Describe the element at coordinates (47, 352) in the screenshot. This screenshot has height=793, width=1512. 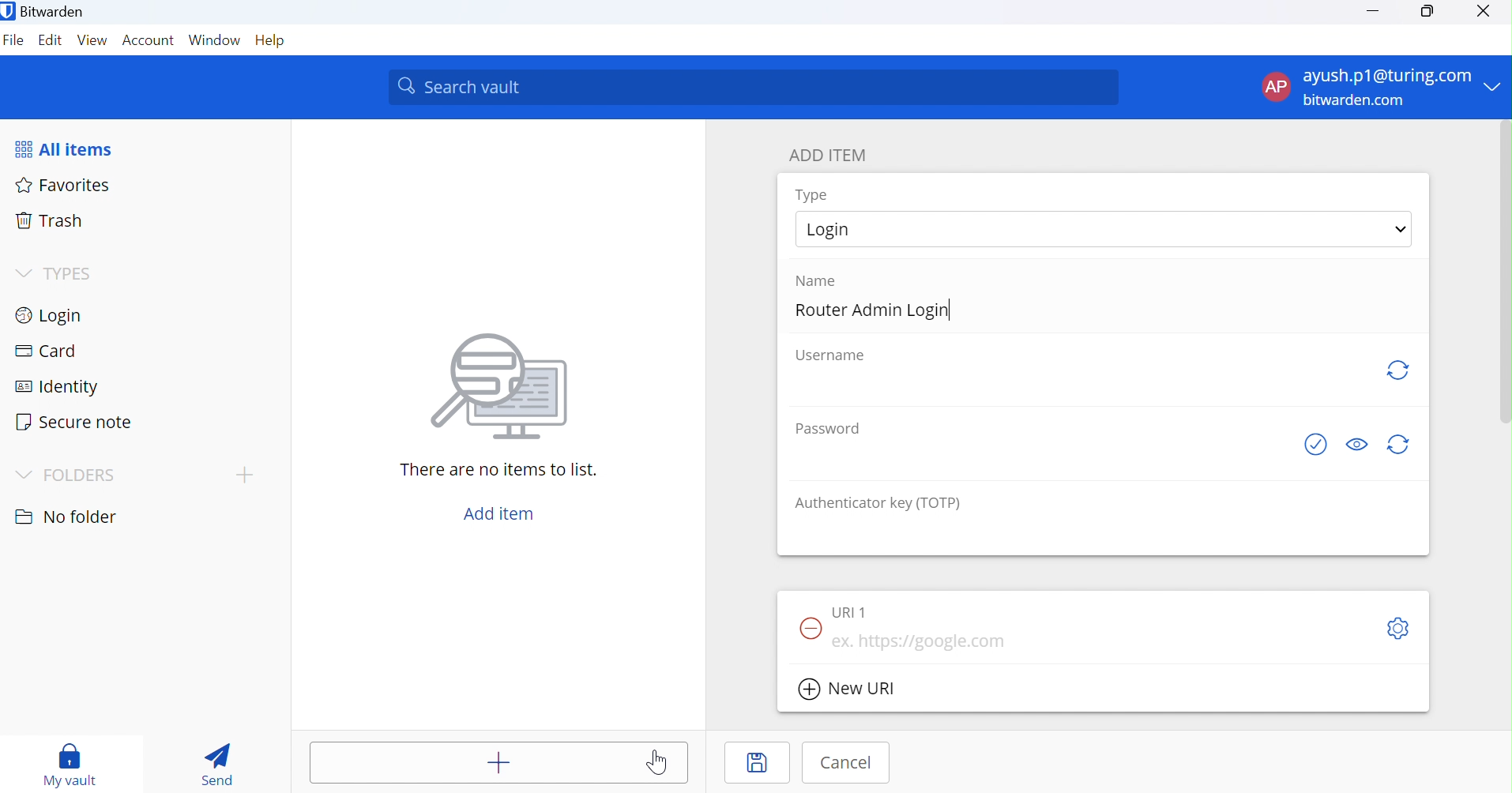
I see `Card` at that location.